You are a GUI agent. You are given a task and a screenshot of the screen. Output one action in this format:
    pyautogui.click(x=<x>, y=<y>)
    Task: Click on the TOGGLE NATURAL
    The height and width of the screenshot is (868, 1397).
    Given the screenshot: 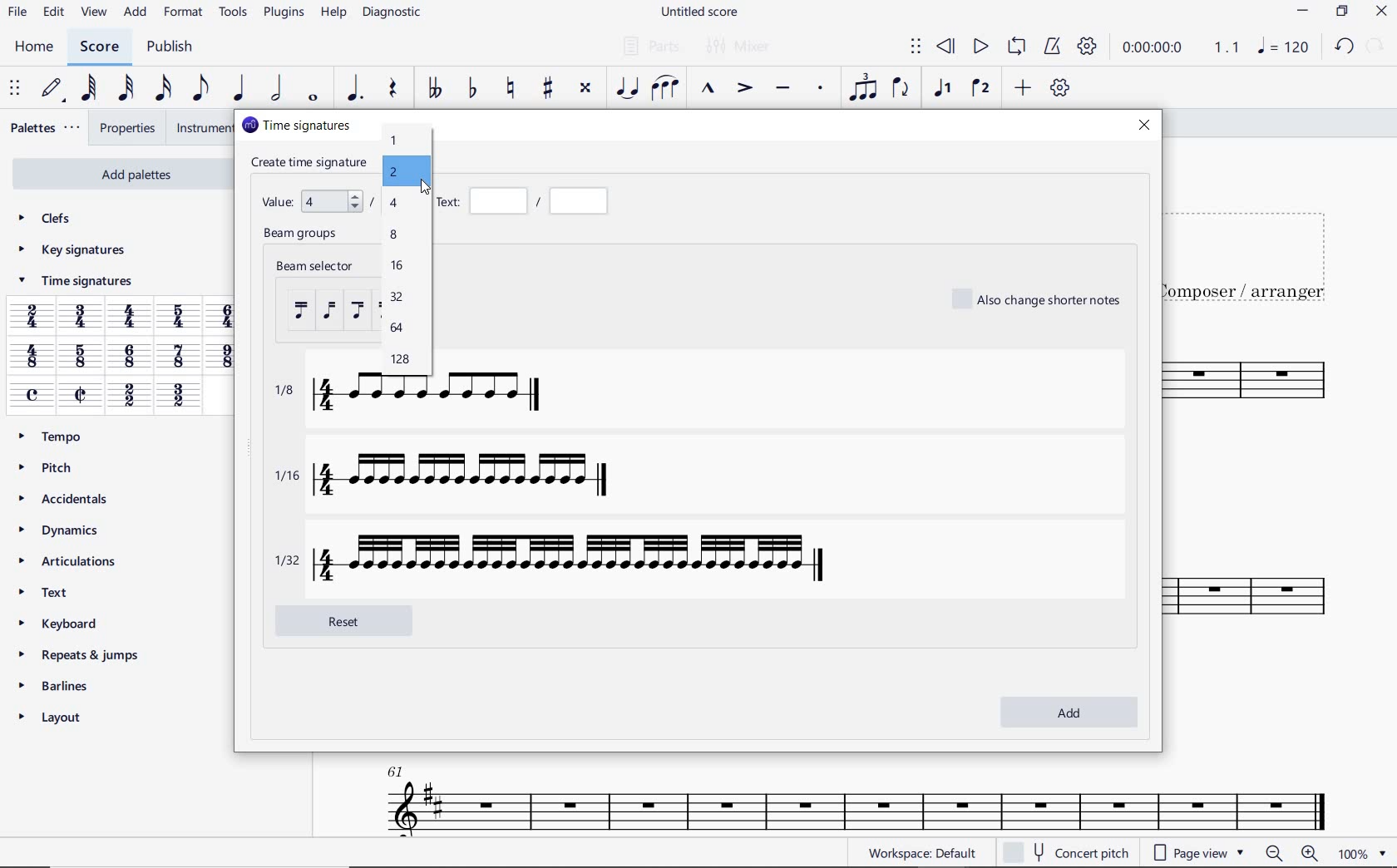 What is the action you would take?
    pyautogui.click(x=513, y=89)
    